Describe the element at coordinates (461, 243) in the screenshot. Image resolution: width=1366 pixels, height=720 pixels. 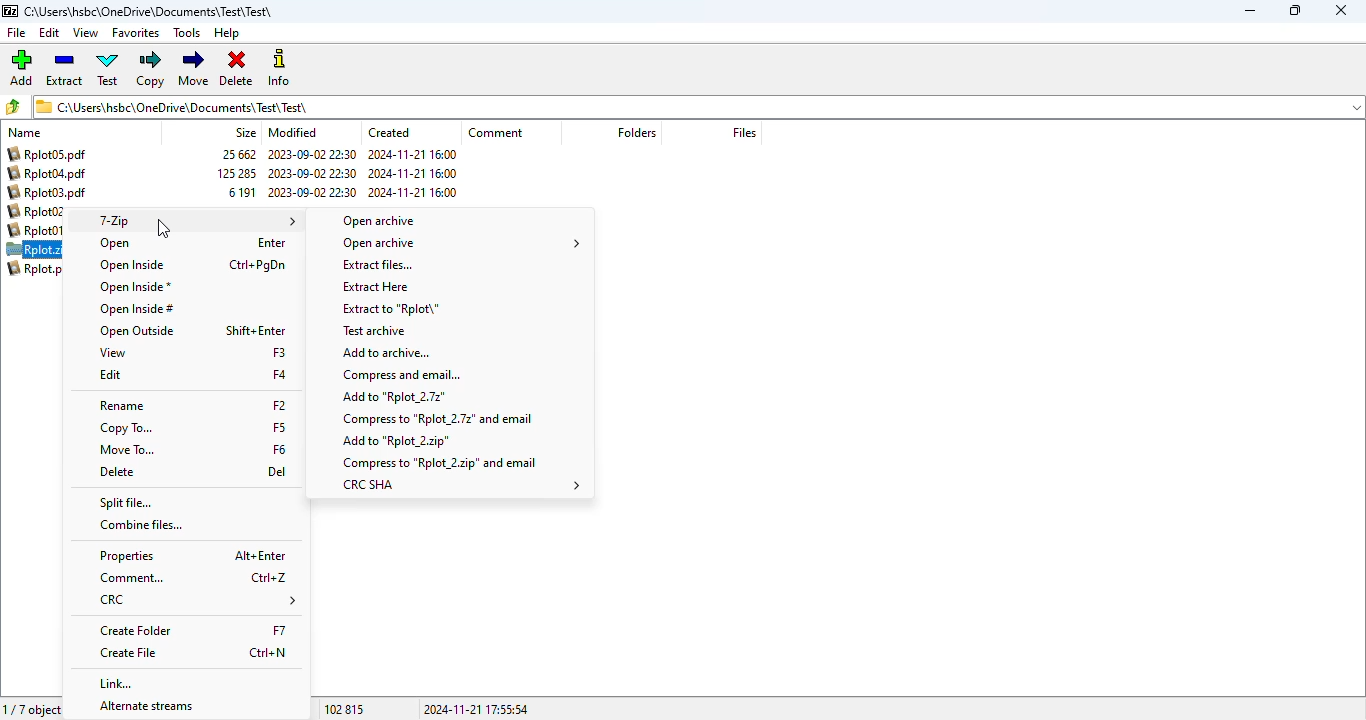
I see `open archive` at that location.